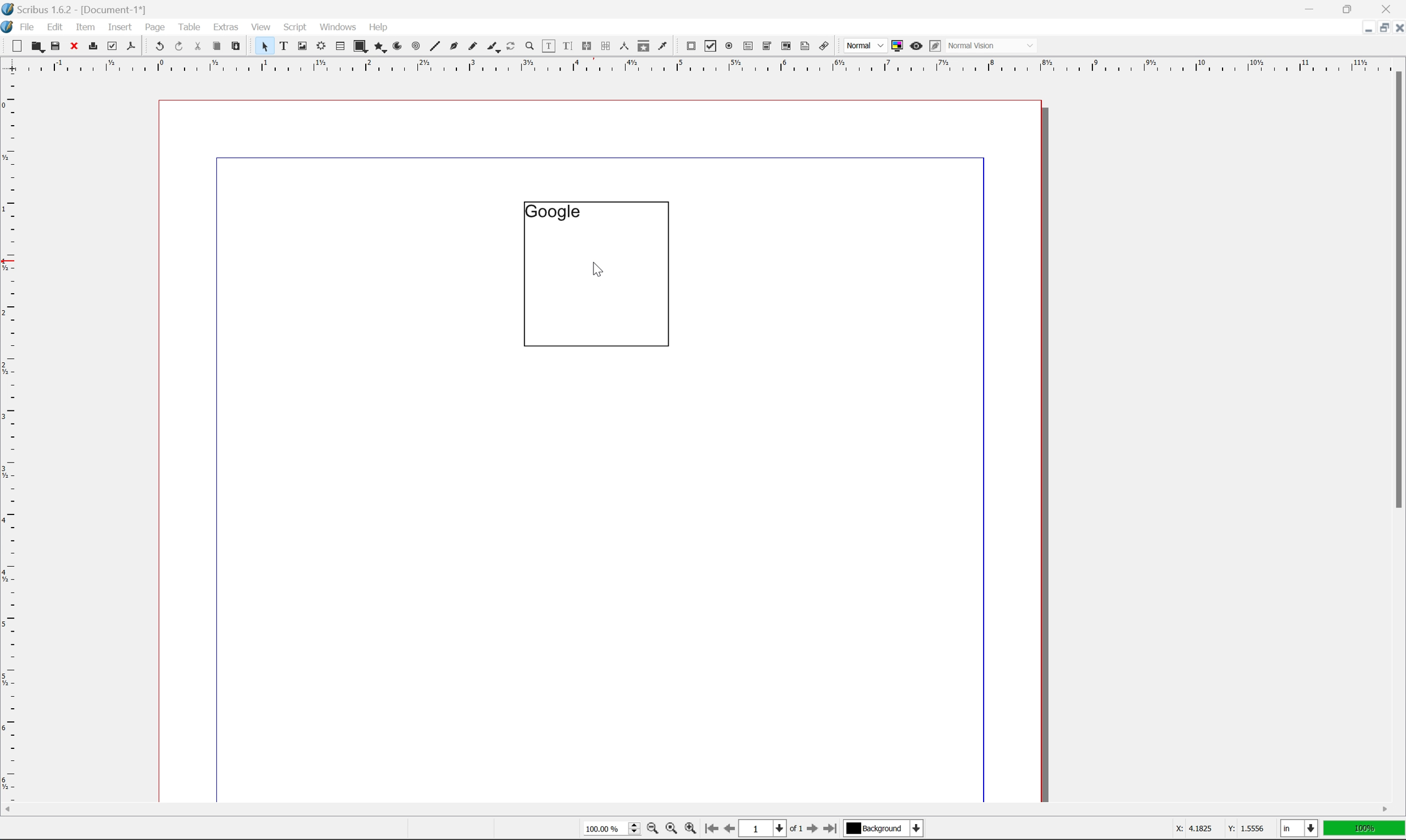 This screenshot has width=1406, height=840. Describe the element at coordinates (180, 47) in the screenshot. I see `redo` at that location.